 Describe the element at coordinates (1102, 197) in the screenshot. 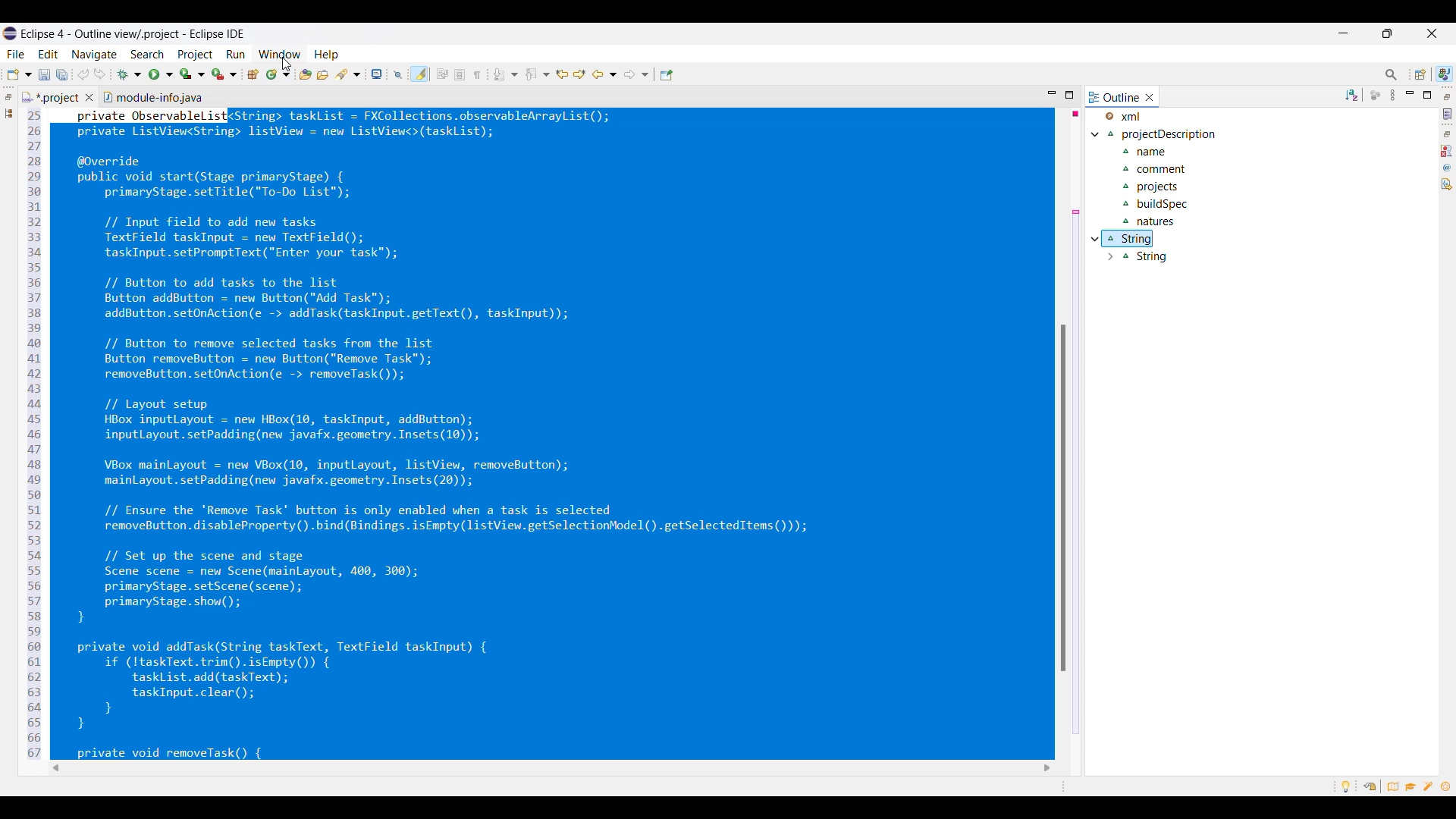

I see `Expand/Collapse` at that location.